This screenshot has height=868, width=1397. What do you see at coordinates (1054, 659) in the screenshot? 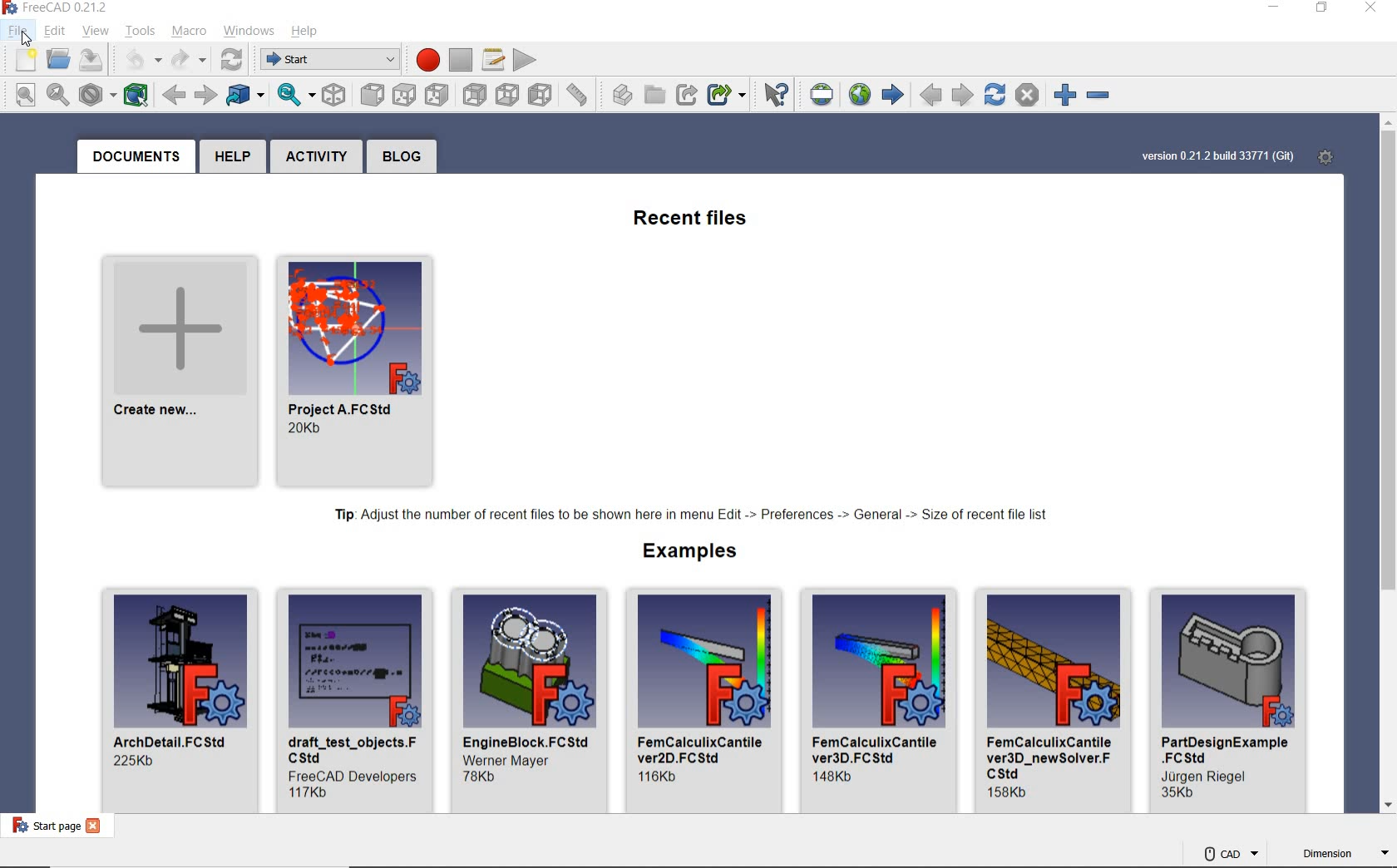
I see `image` at bounding box center [1054, 659].